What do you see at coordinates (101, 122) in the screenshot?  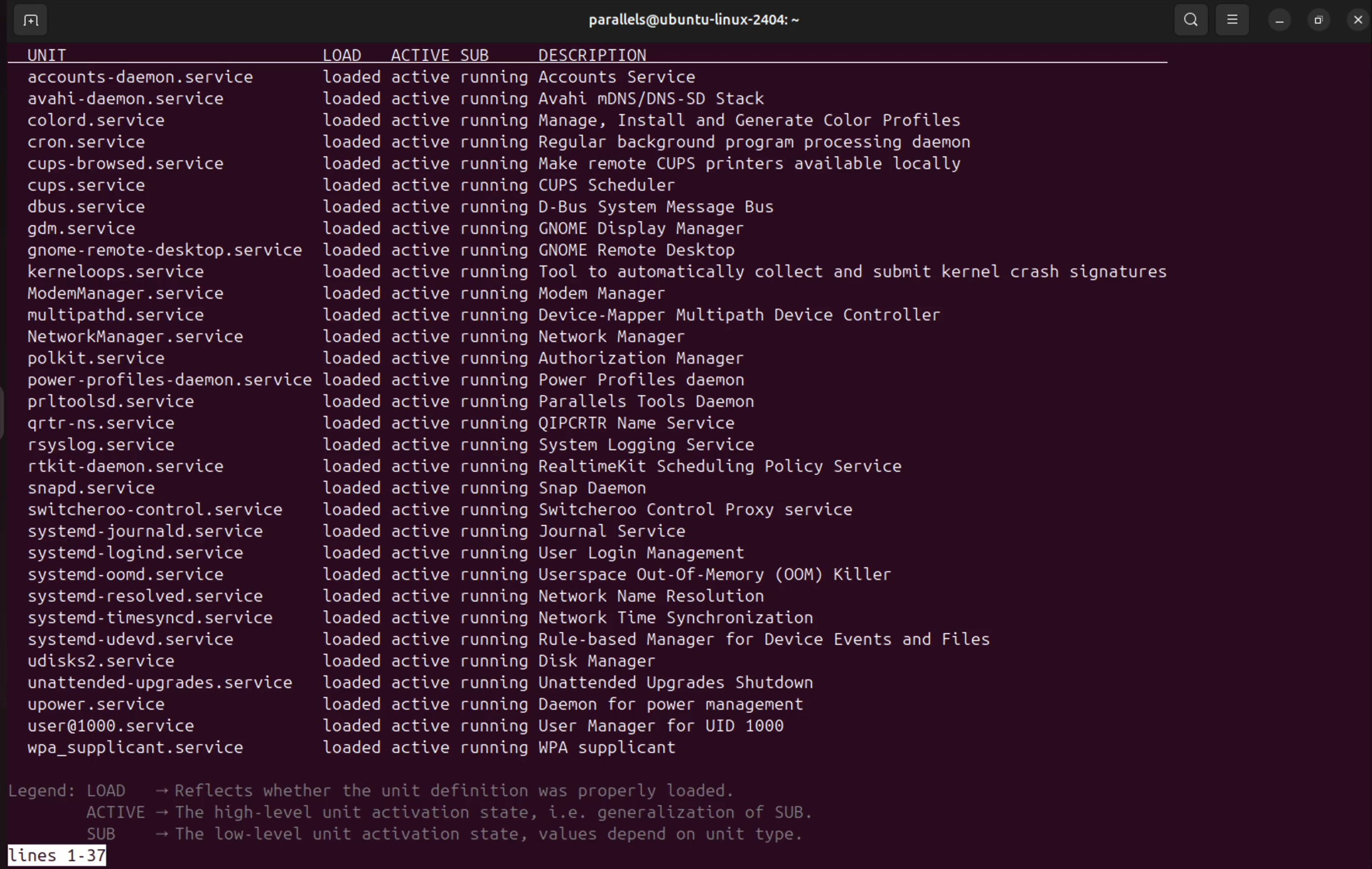 I see `colord device` at bounding box center [101, 122].